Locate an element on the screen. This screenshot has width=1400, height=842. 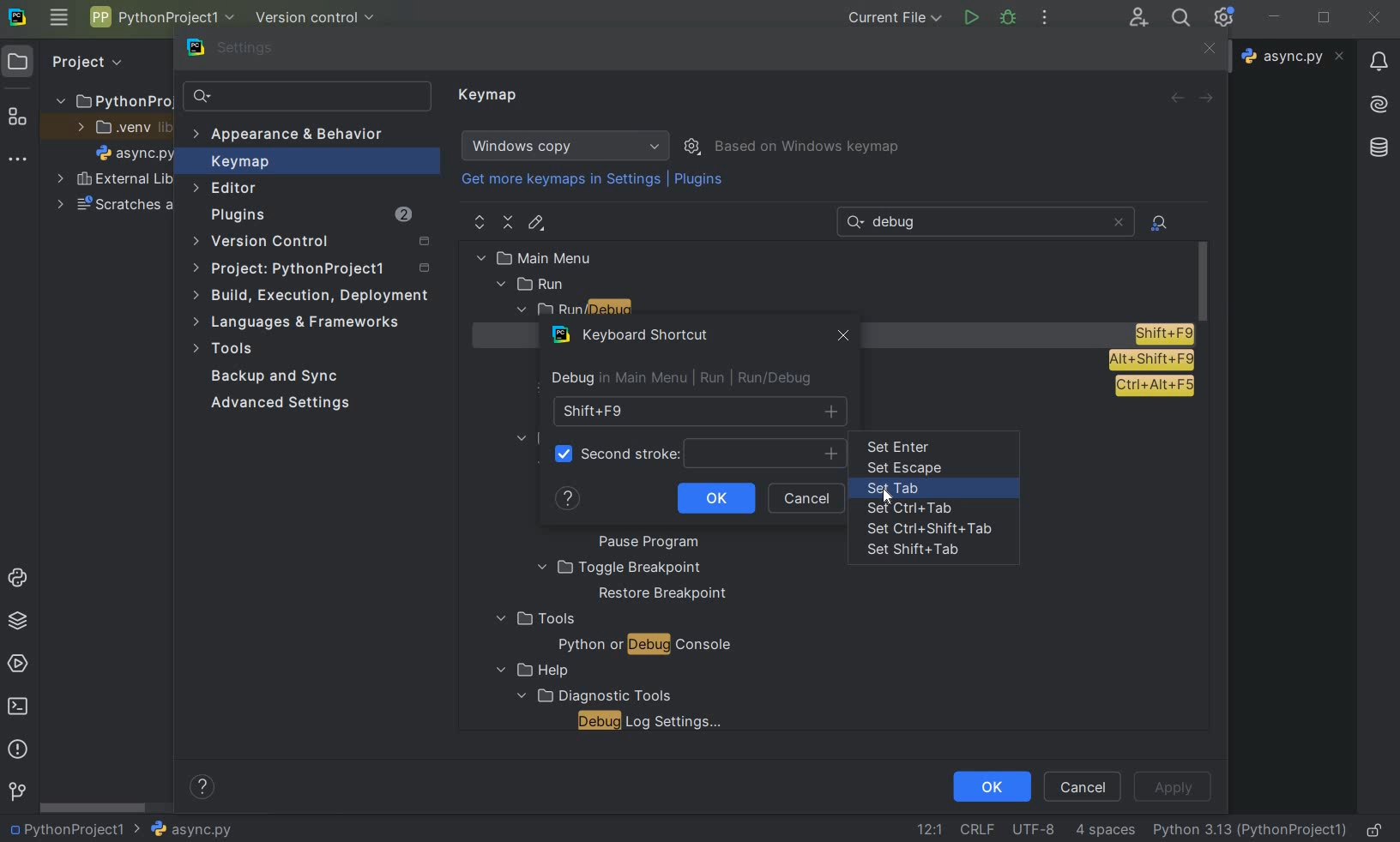
more tool windows is located at coordinates (15, 159).